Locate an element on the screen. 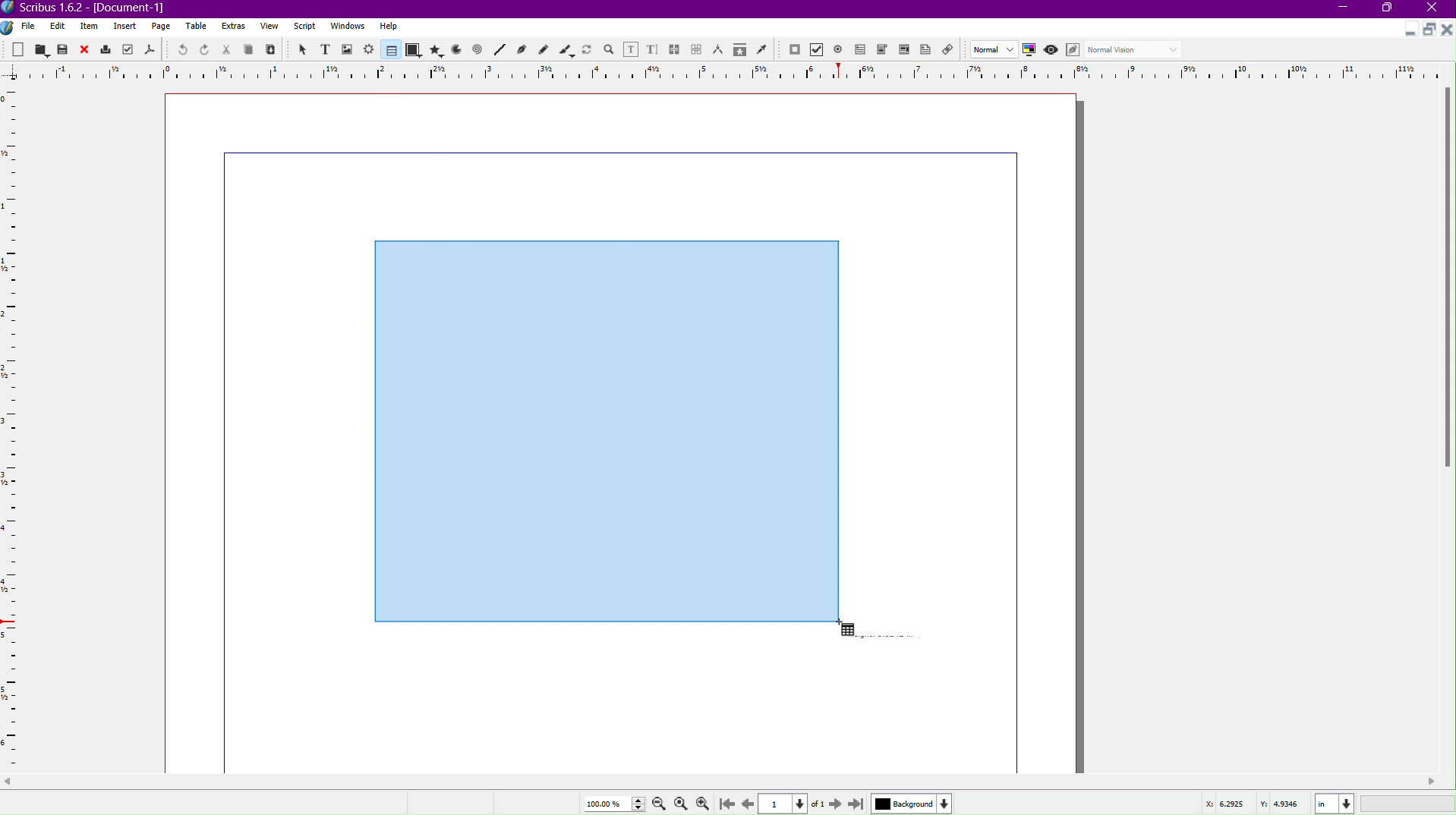  Open is located at coordinates (41, 49).